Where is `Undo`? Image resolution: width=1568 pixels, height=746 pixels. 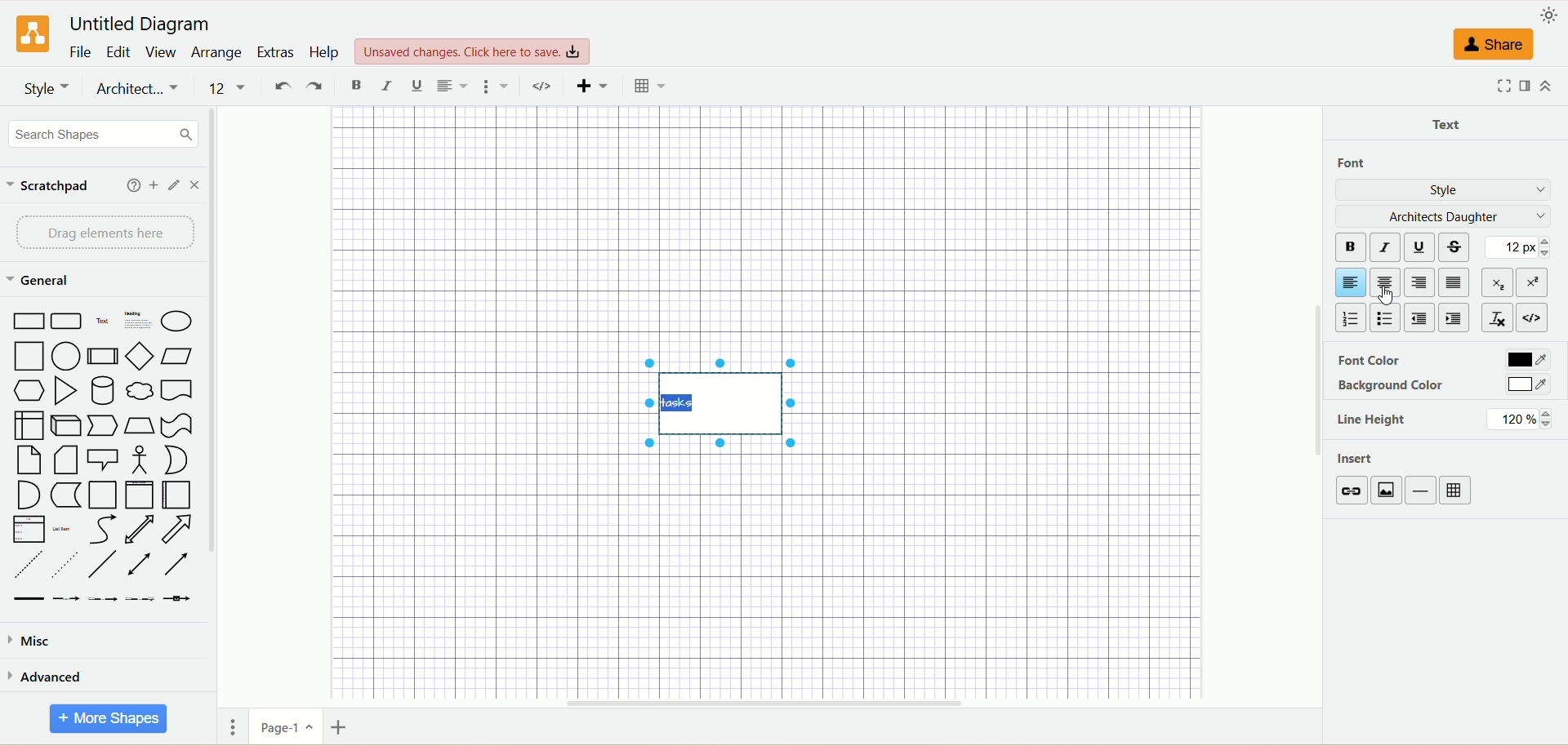 Undo is located at coordinates (280, 87).